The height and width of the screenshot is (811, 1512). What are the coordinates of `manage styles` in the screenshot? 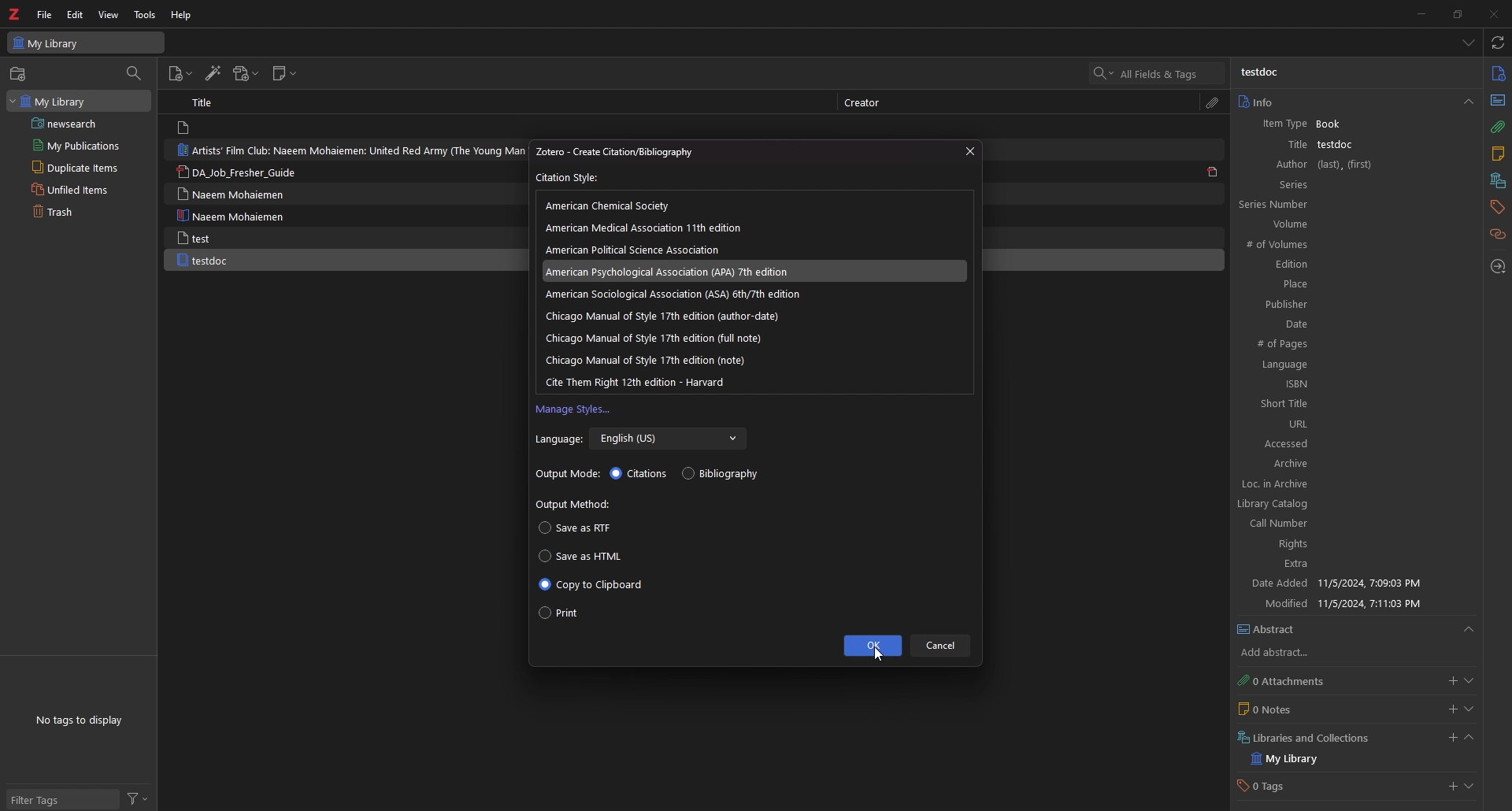 It's located at (574, 410).